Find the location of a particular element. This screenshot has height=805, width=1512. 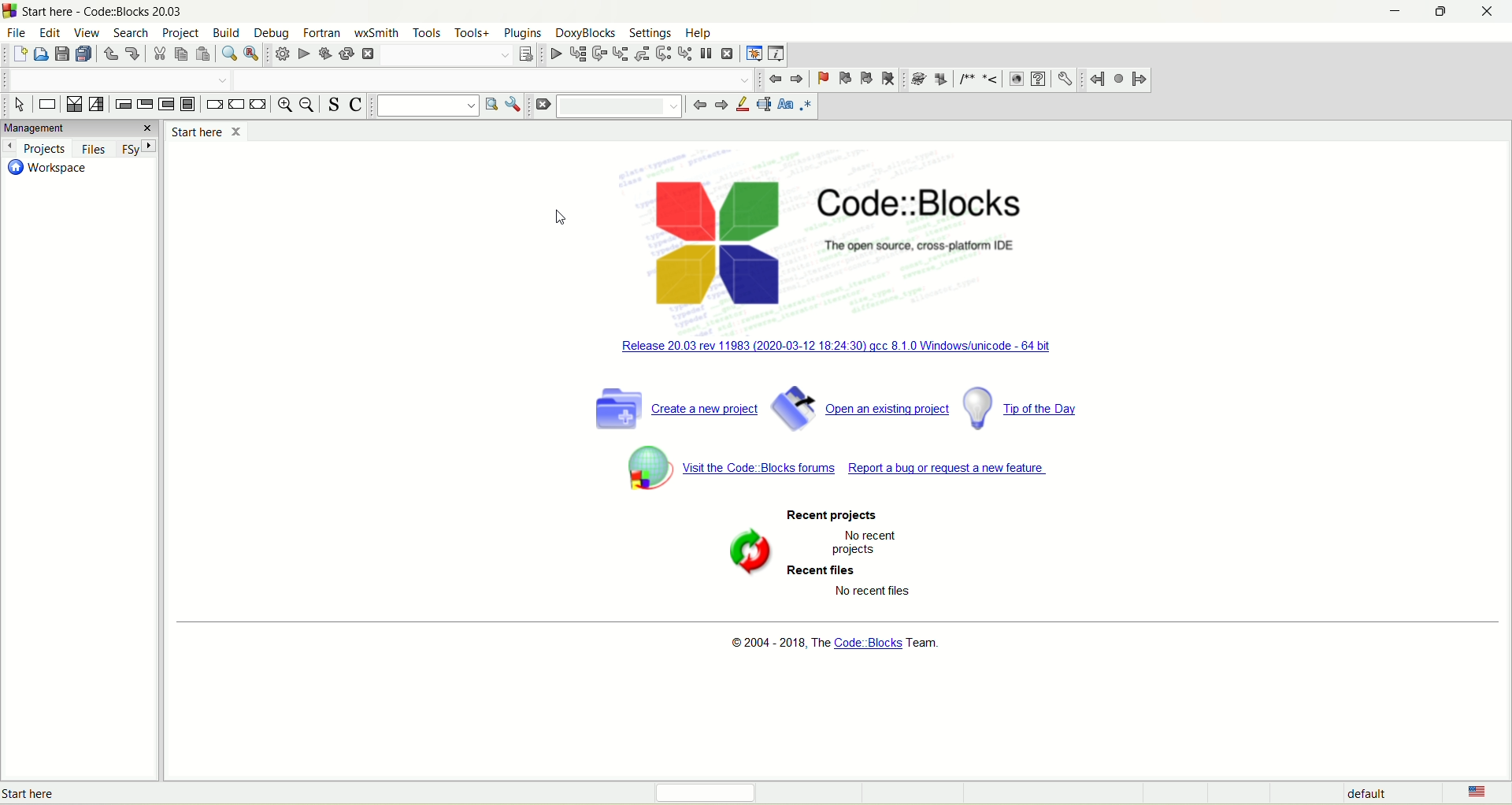

plugins is located at coordinates (523, 33).